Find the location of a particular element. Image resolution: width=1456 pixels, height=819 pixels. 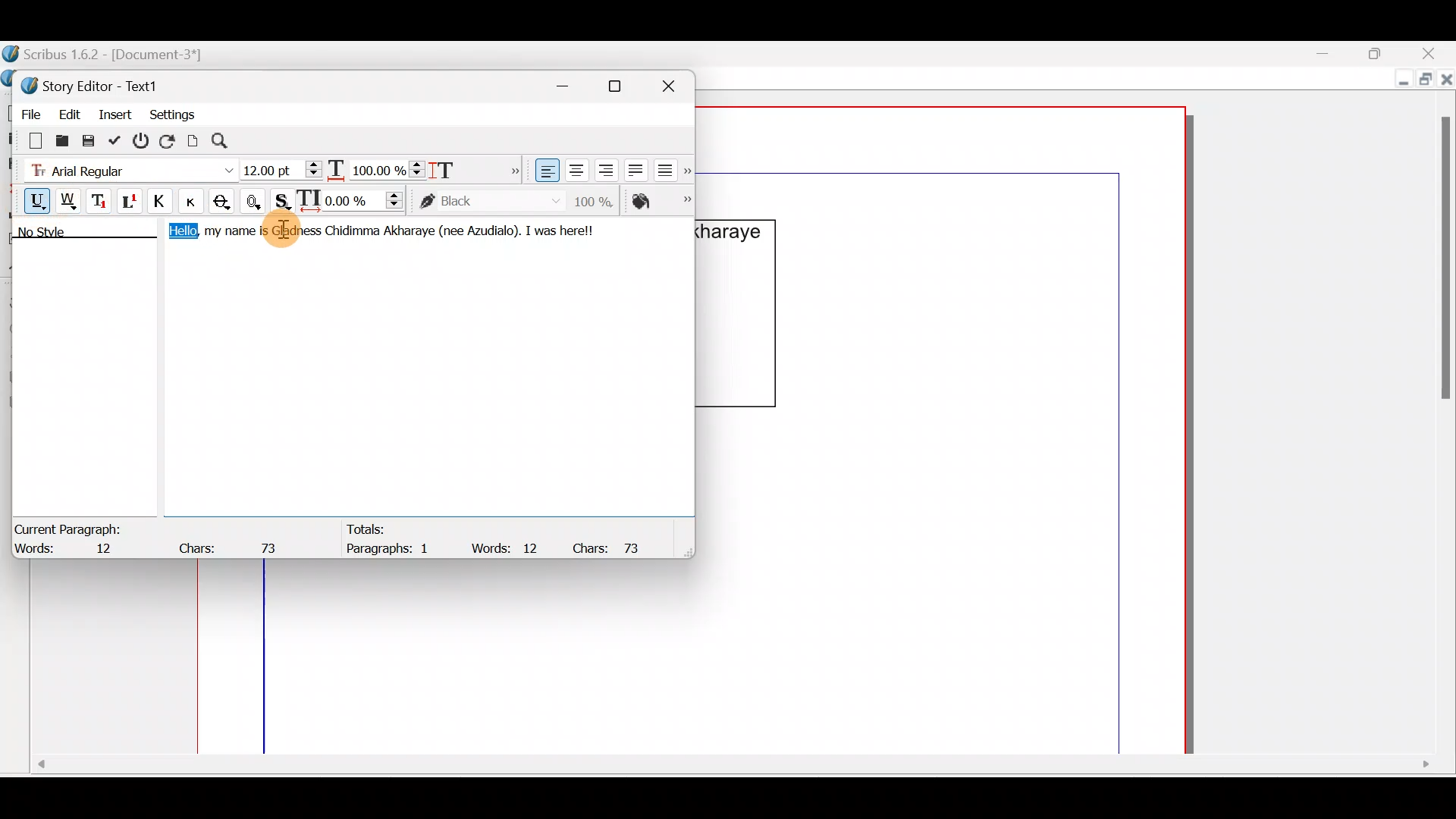

Small caps is located at coordinates (195, 200).